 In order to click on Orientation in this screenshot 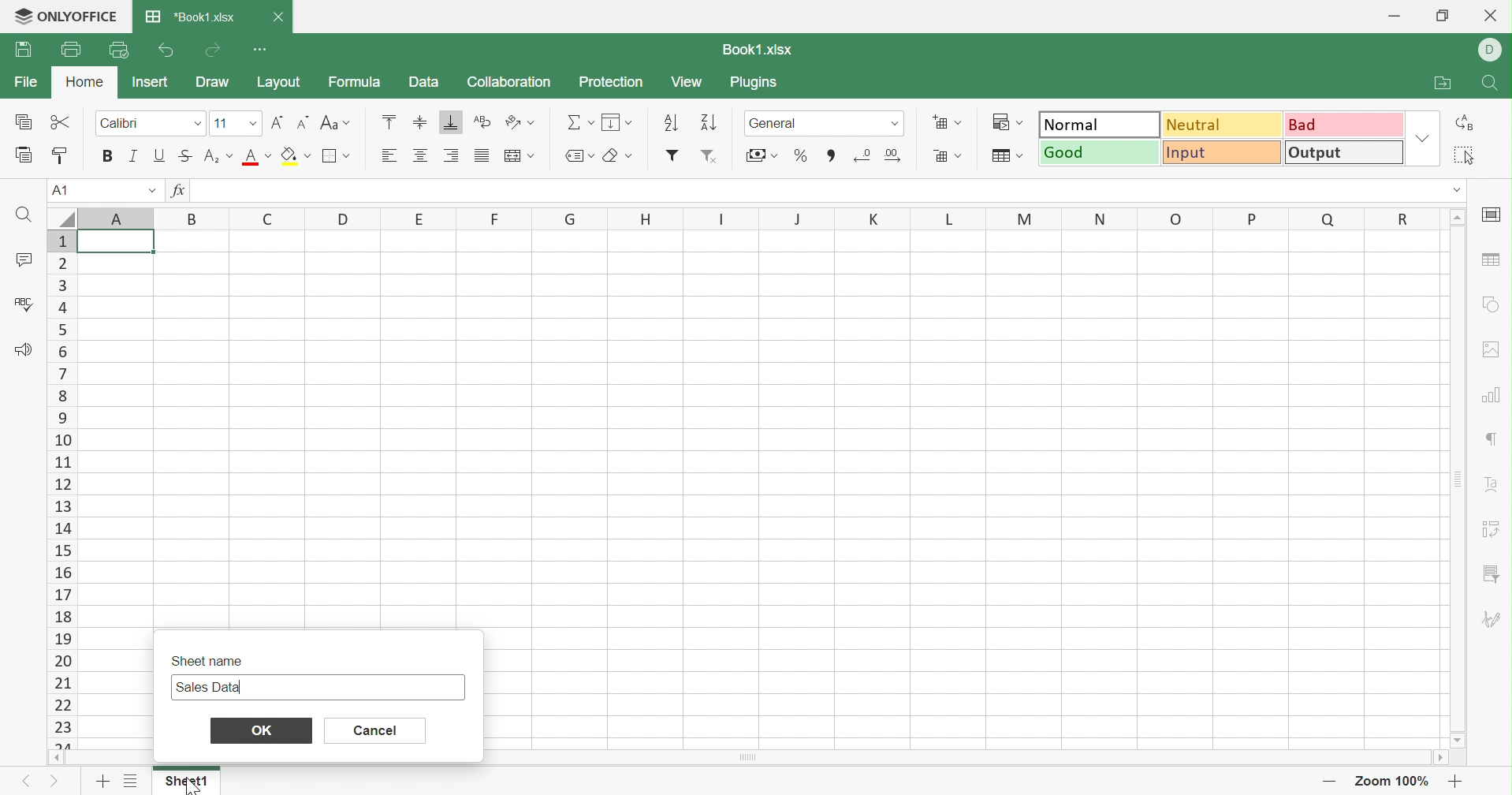, I will do `click(517, 122)`.